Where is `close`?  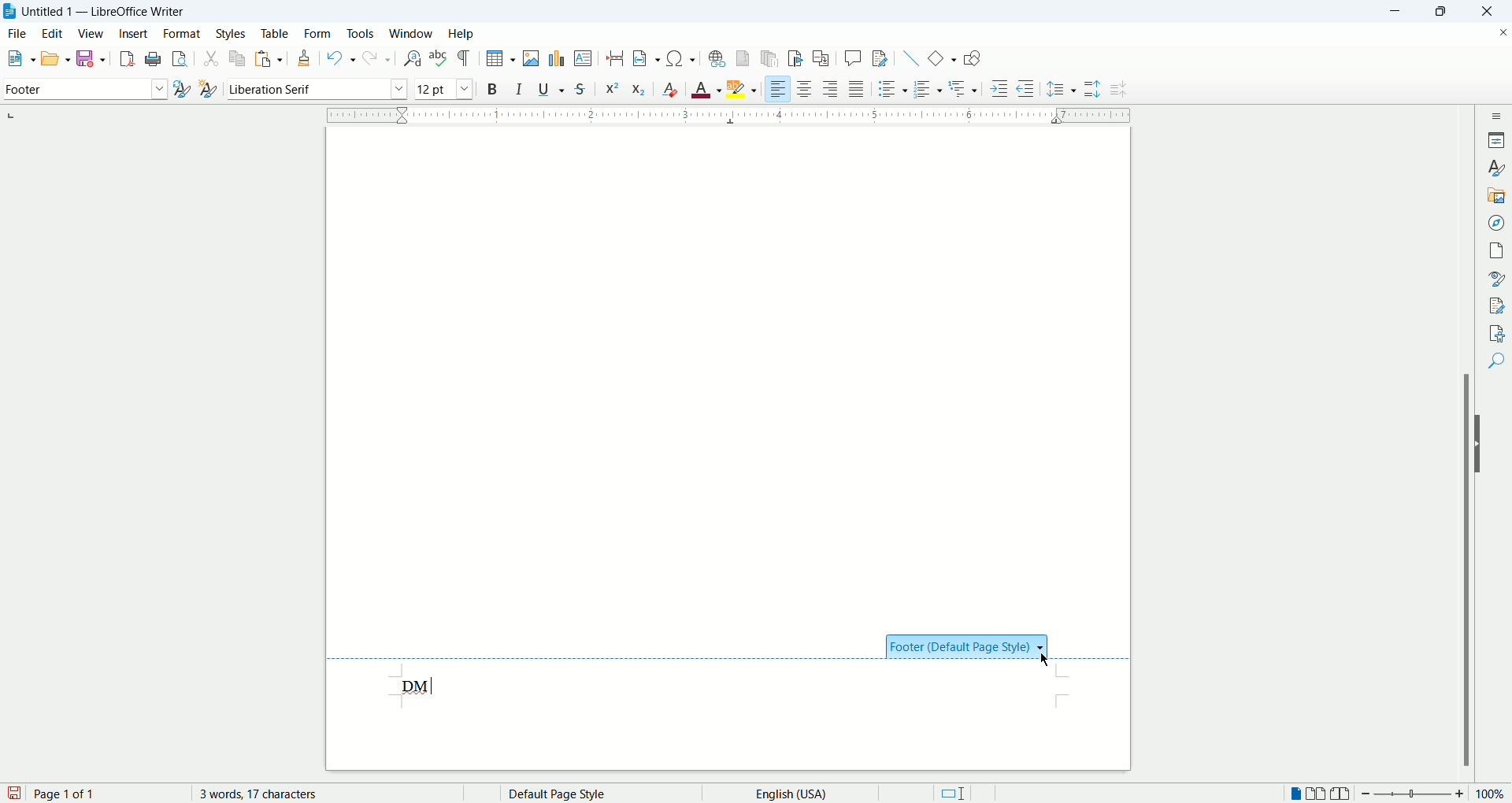 close is located at coordinates (1492, 11).